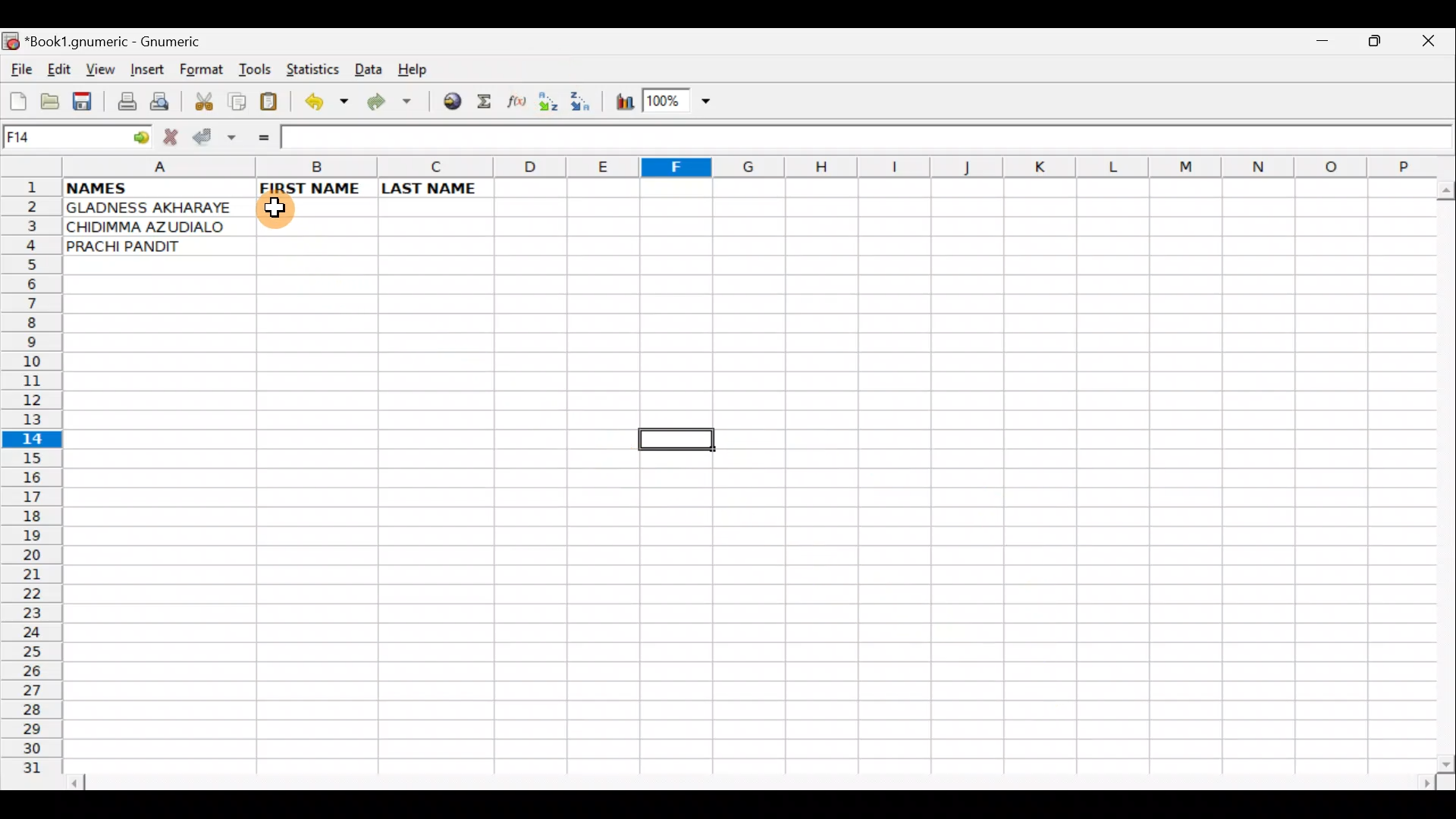  Describe the element at coordinates (174, 134) in the screenshot. I see `Cancel change` at that location.